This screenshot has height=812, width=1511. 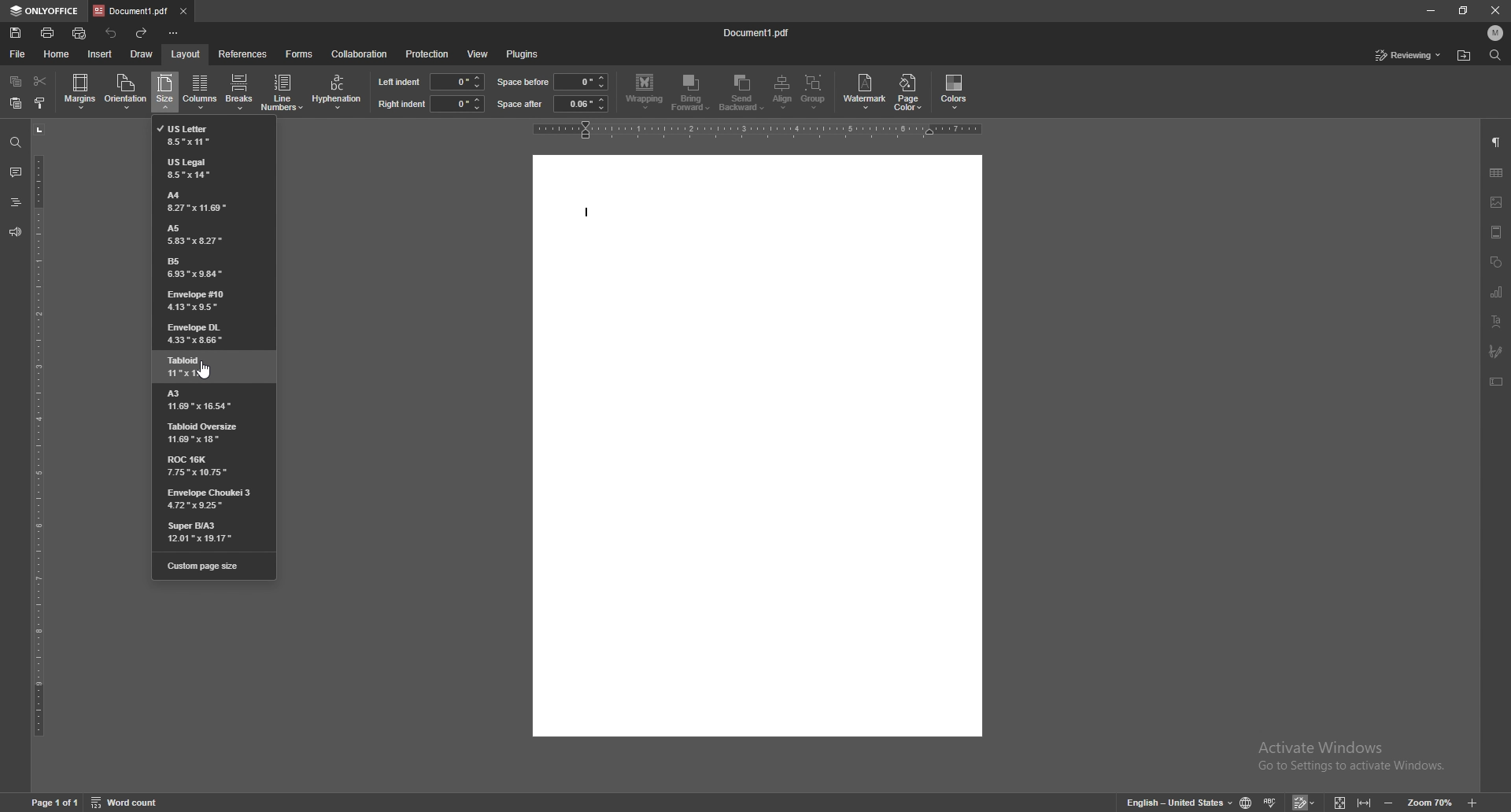 What do you see at coordinates (216, 530) in the screenshot?
I see `super b/a3` at bounding box center [216, 530].